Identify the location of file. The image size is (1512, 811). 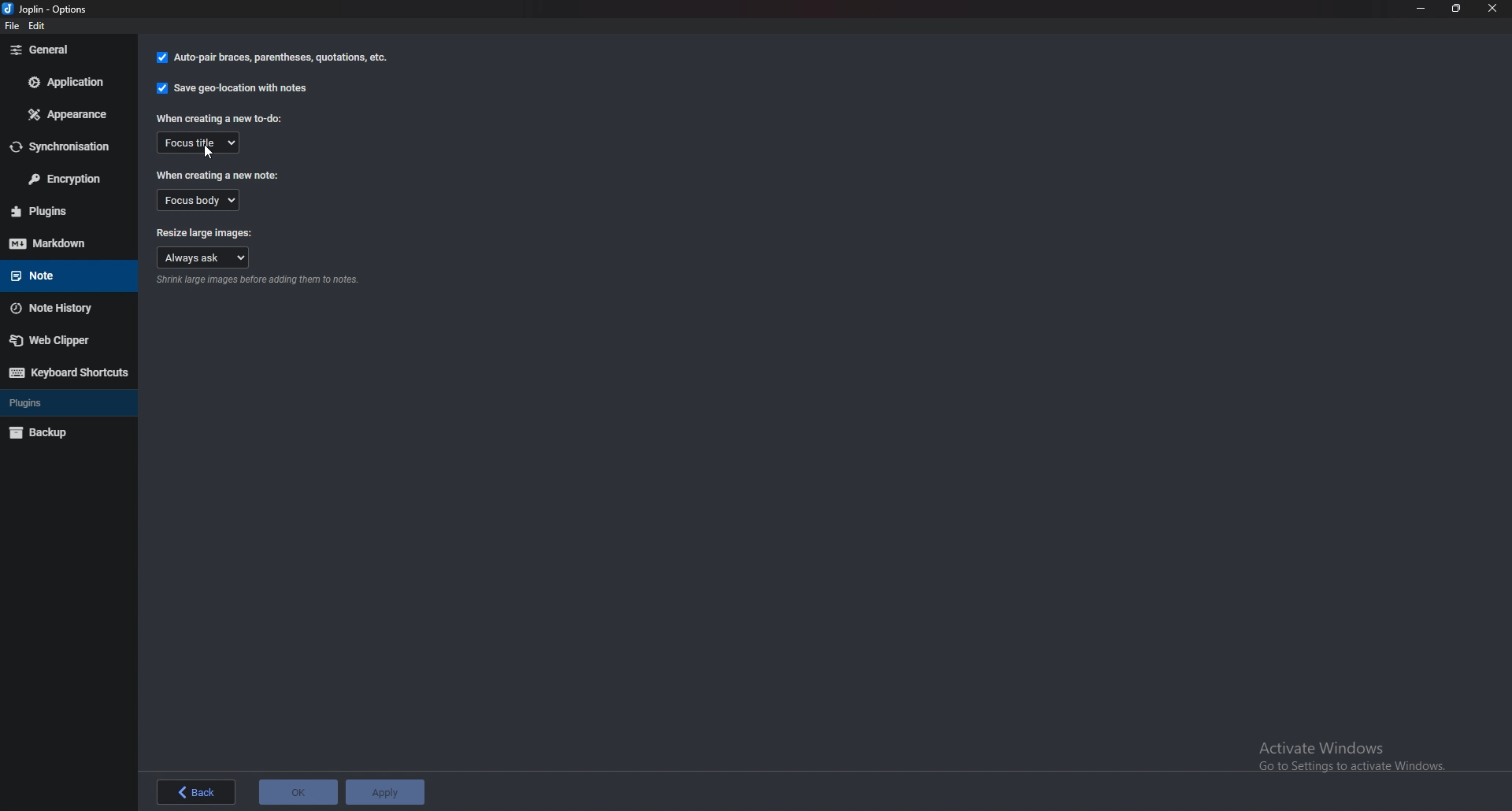
(11, 28).